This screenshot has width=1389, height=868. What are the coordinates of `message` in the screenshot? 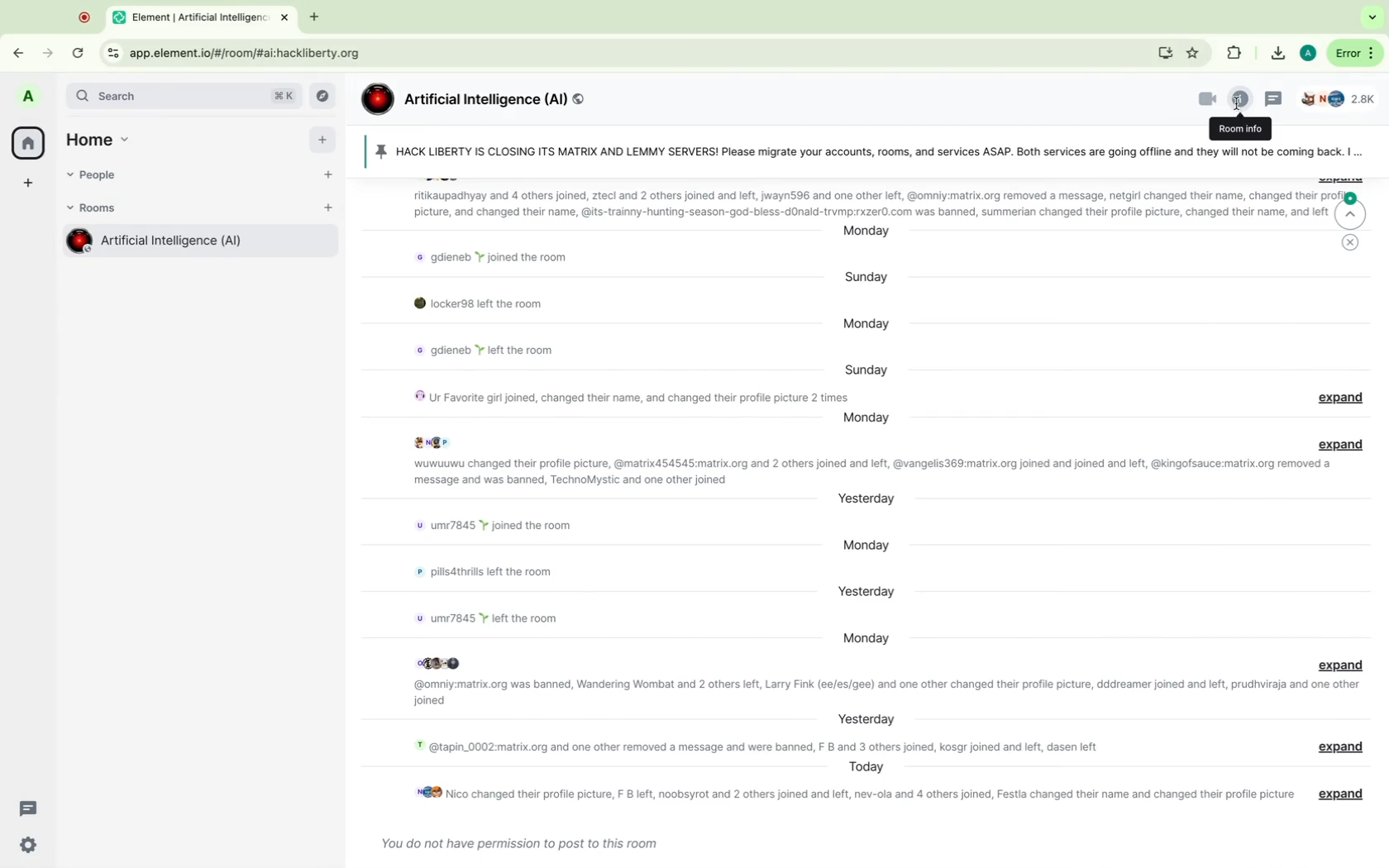 It's located at (622, 394).